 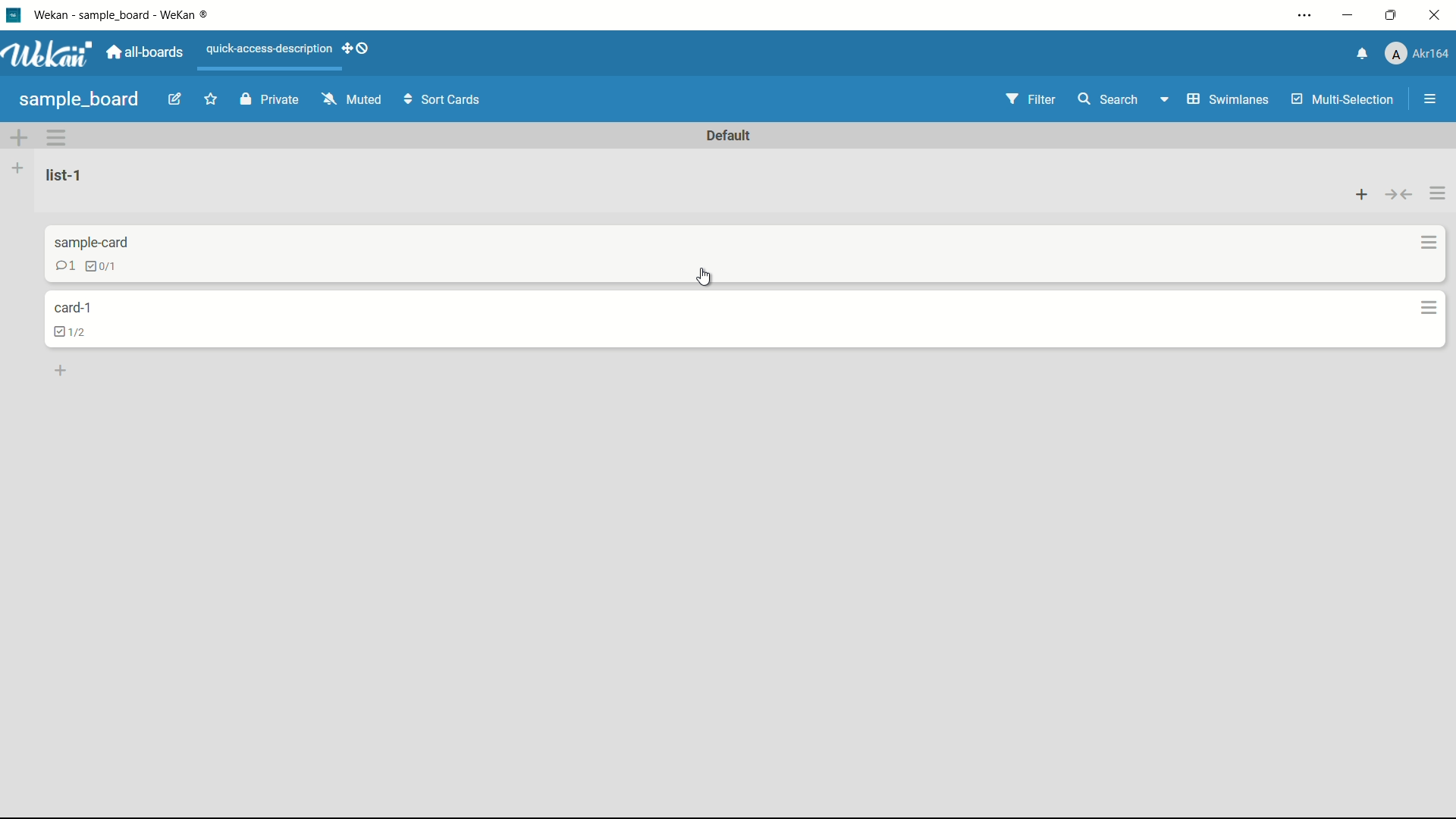 I want to click on default, so click(x=730, y=136).